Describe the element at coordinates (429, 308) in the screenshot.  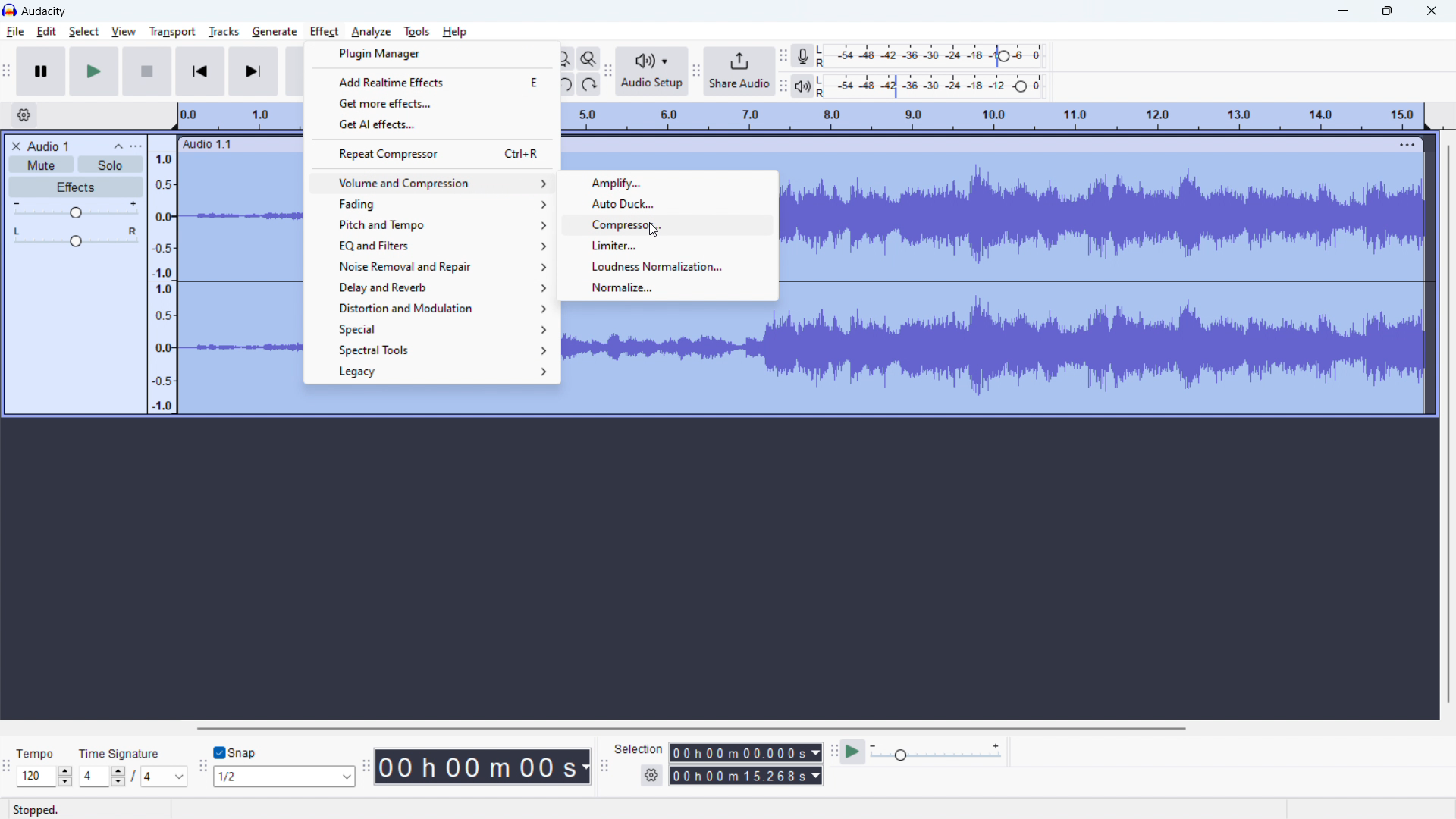
I see `distortion and modulation` at that location.